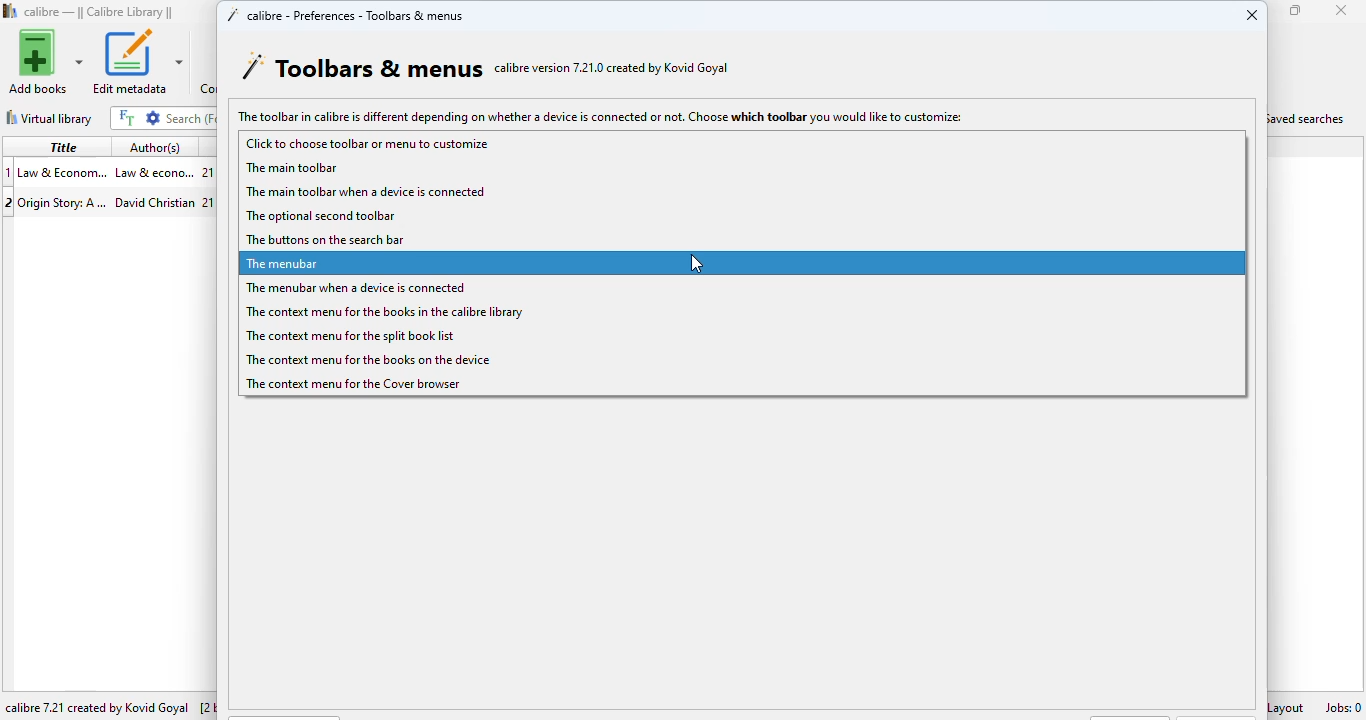  What do you see at coordinates (1309, 117) in the screenshot?
I see `saved searches` at bounding box center [1309, 117].